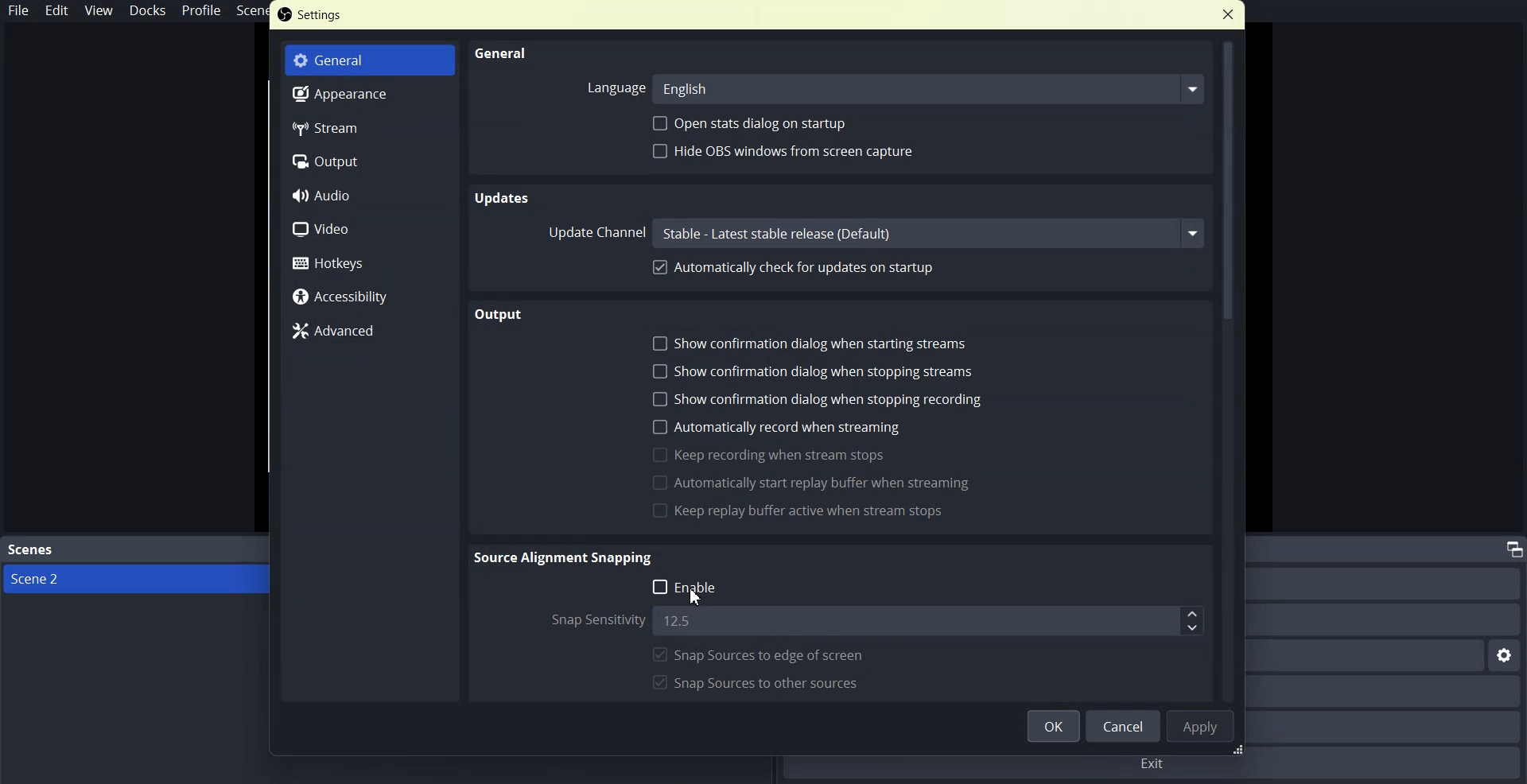  What do you see at coordinates (930, 87) in the screenshot?
I see `english` at bounding box center [930, 87].